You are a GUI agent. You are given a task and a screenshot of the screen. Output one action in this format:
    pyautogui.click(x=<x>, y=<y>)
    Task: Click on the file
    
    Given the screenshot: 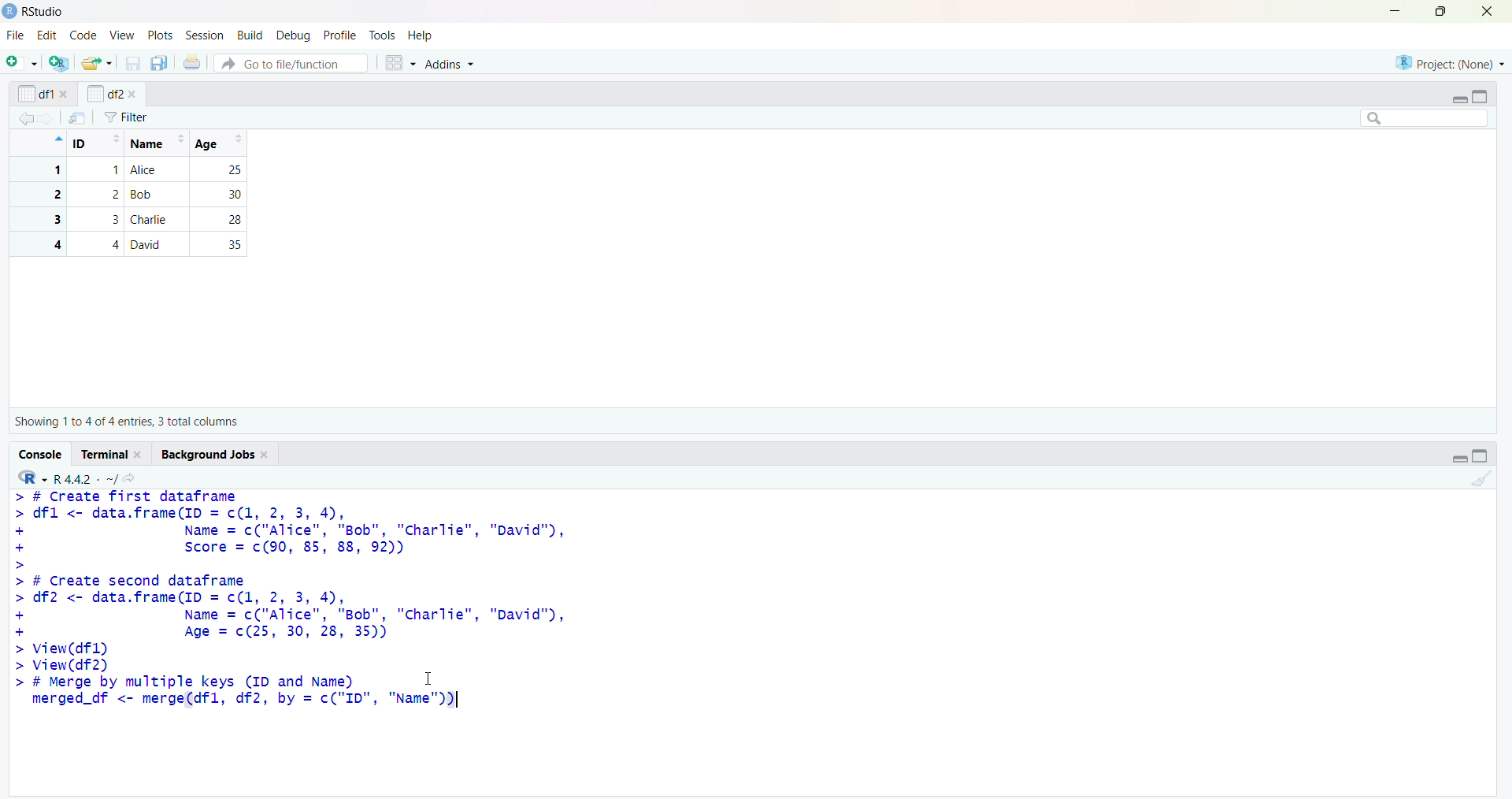 What is the action you would take?
    pyautogui.click(x=17, y=35)
    